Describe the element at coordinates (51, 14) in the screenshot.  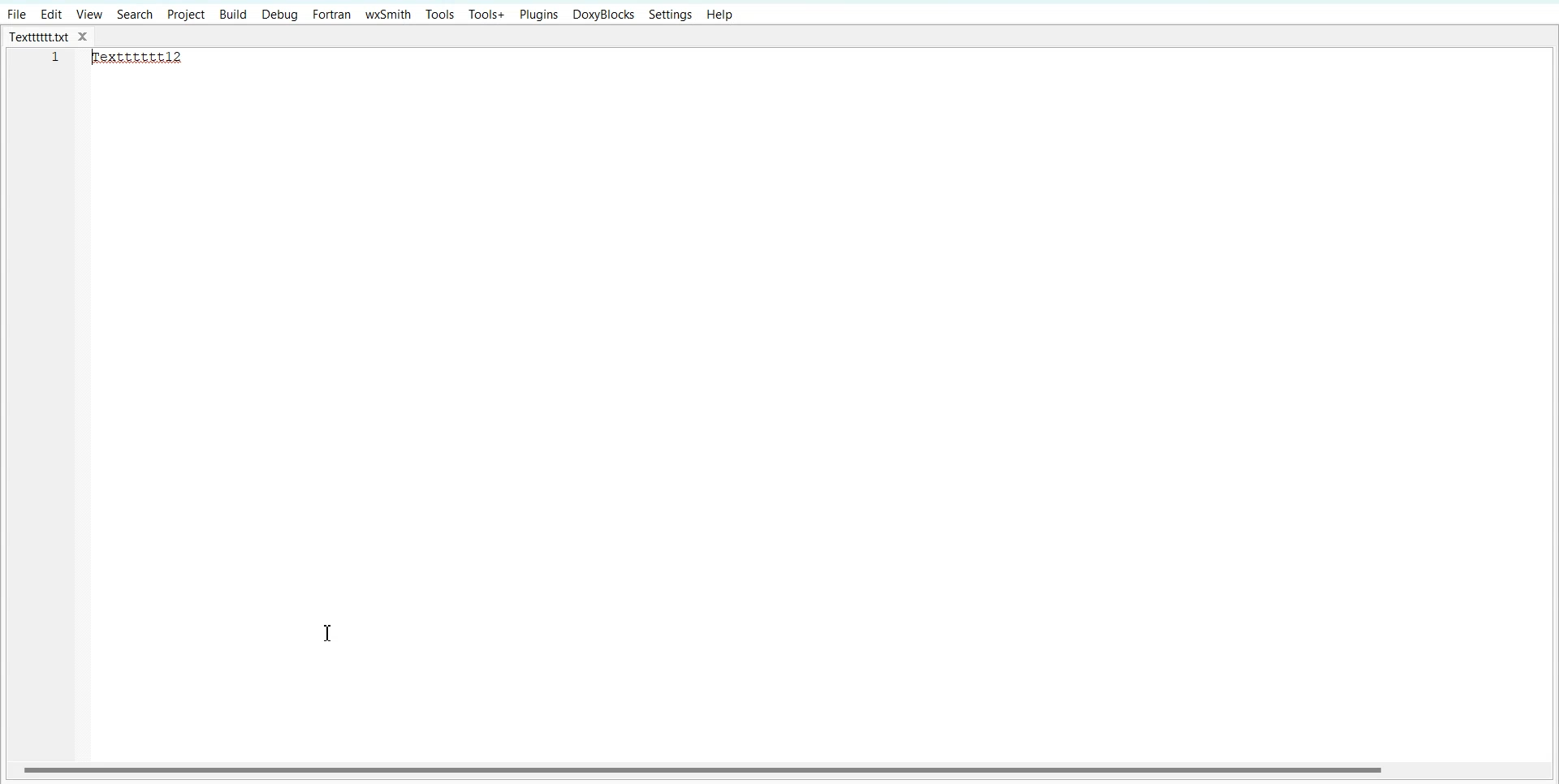
I see `Edit` at that location.